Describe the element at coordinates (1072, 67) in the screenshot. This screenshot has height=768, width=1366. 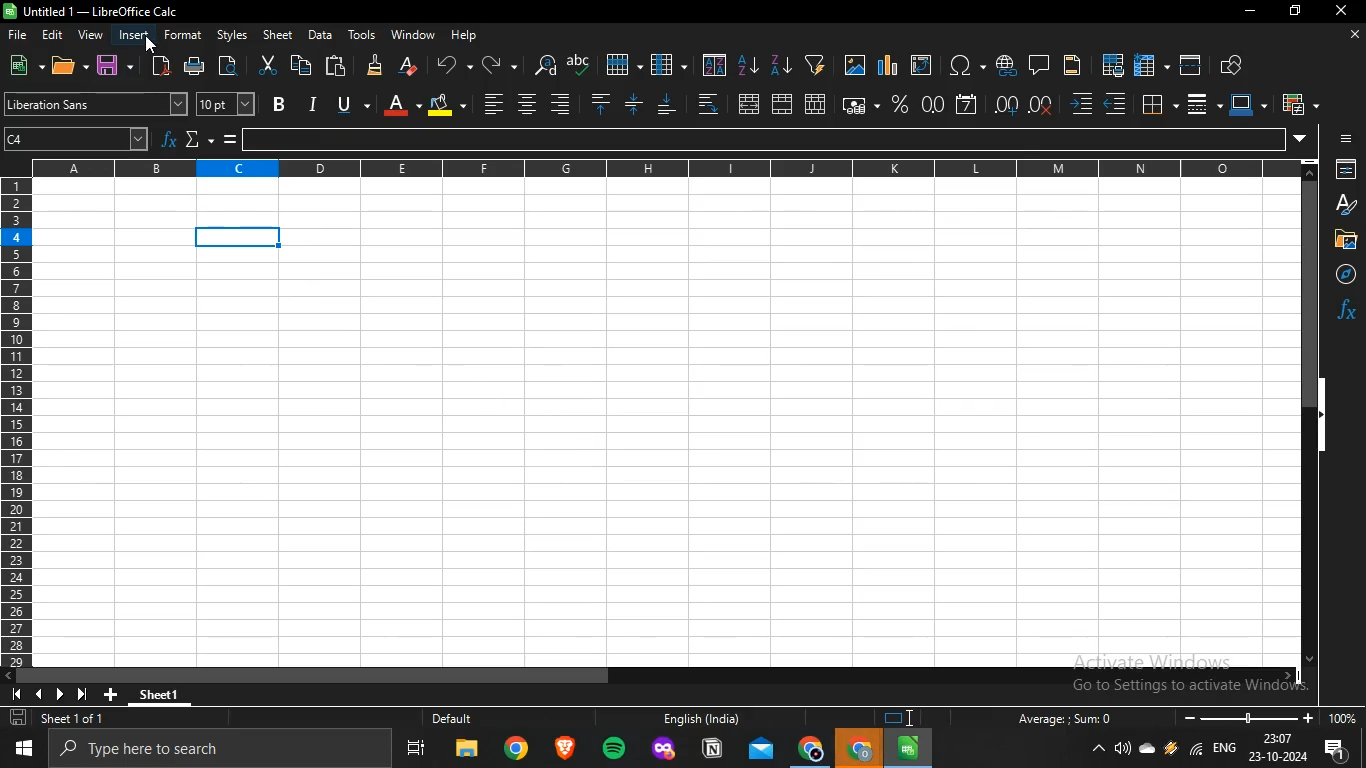
I see `headers and footers` at that location.